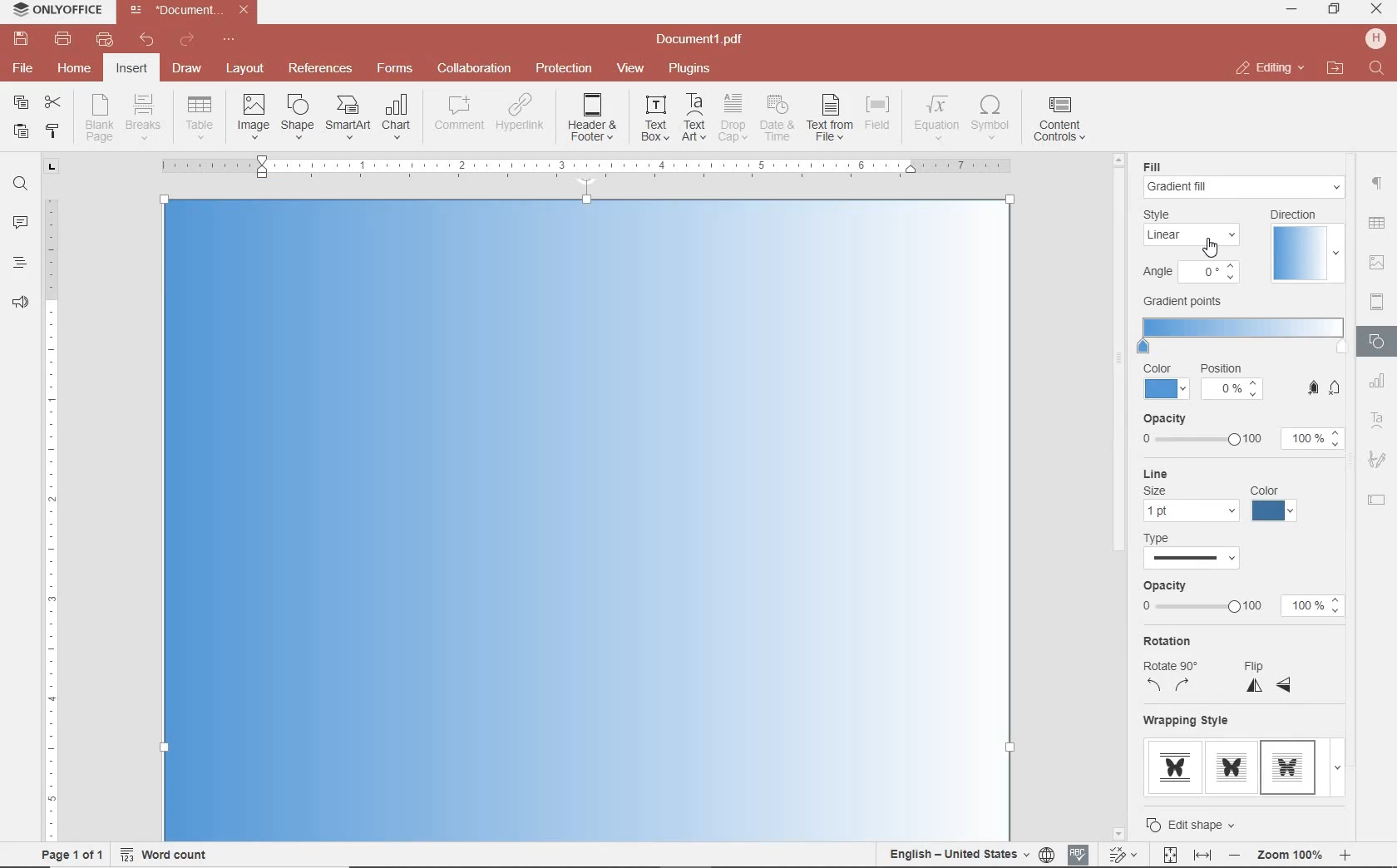  I want to click on ROTATION, so click(1187, 494).